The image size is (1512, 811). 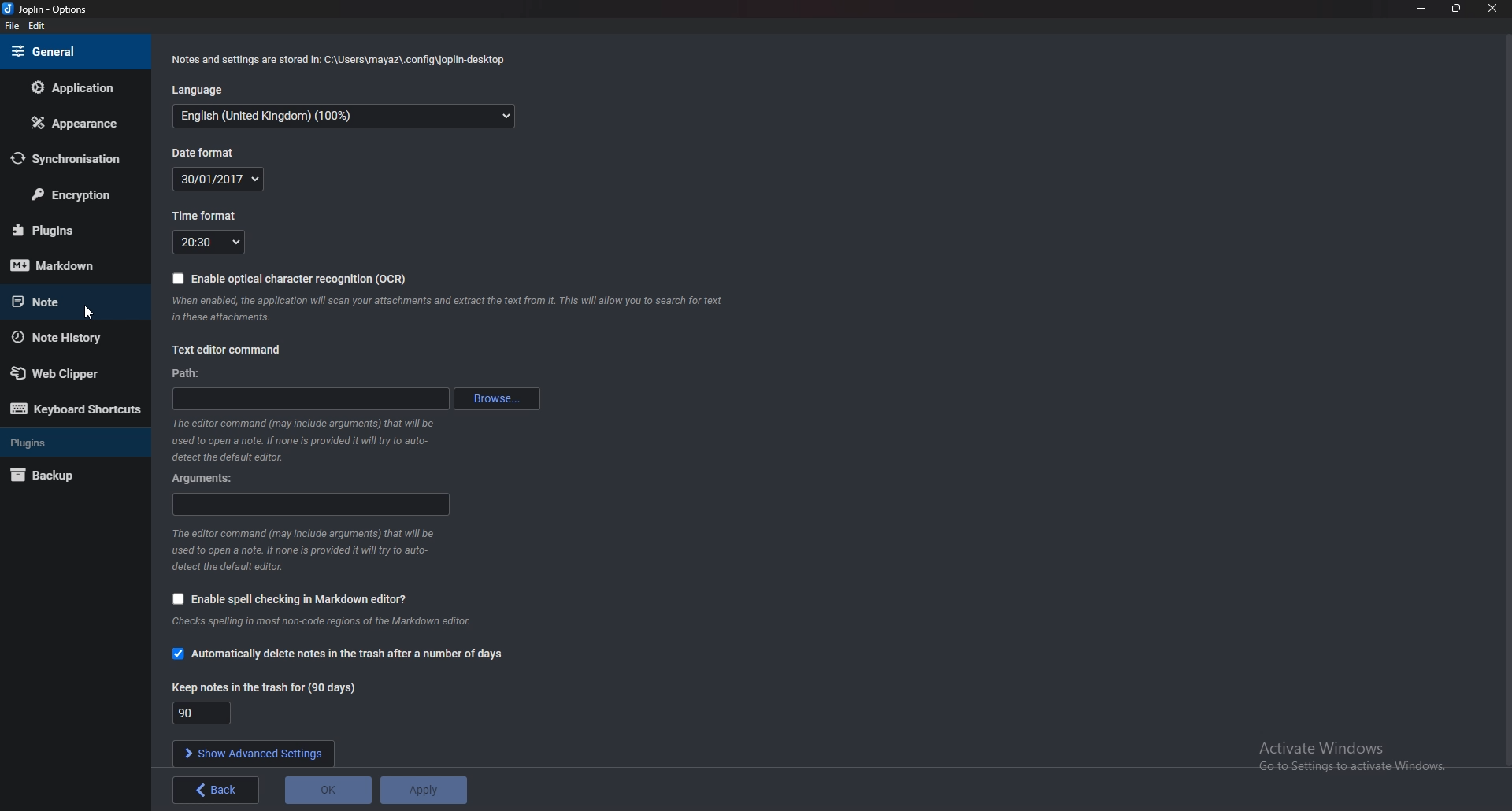 What do you see at coordinates (299, 601) in the screenshot?
I see `enable spell checking` at bounding box center [299, 601].